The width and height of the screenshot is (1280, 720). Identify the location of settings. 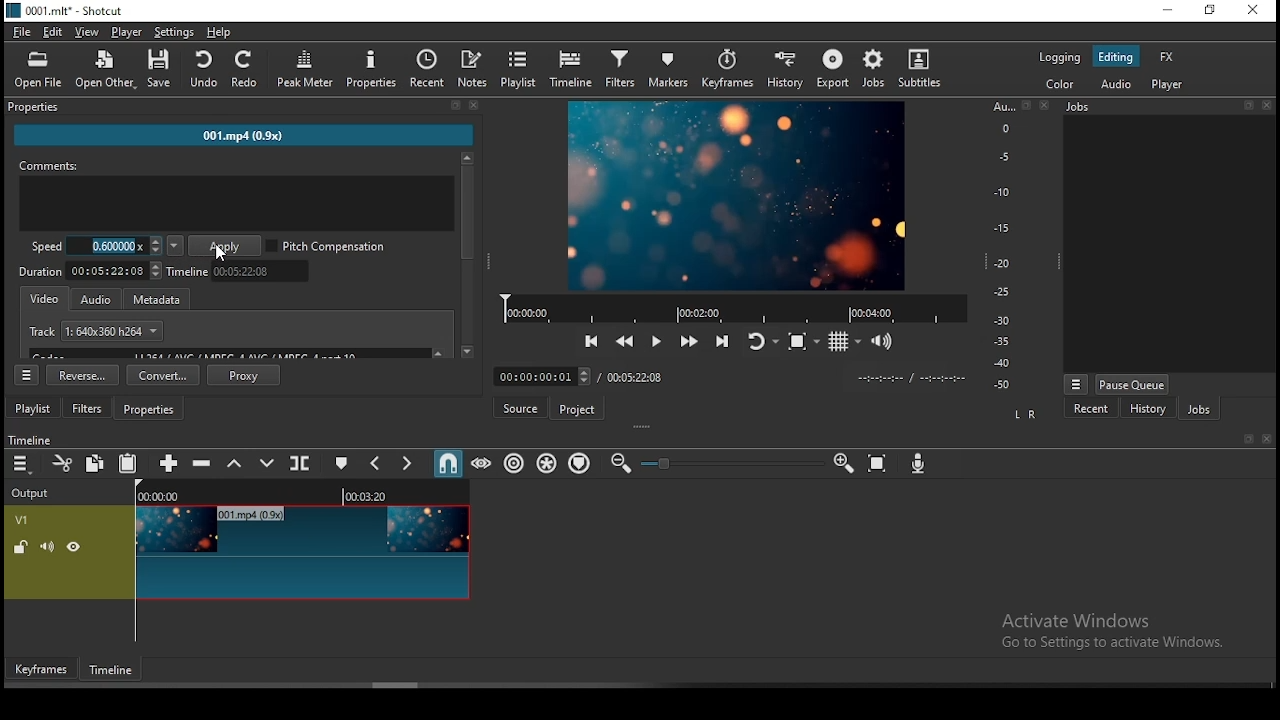
(175, 31).